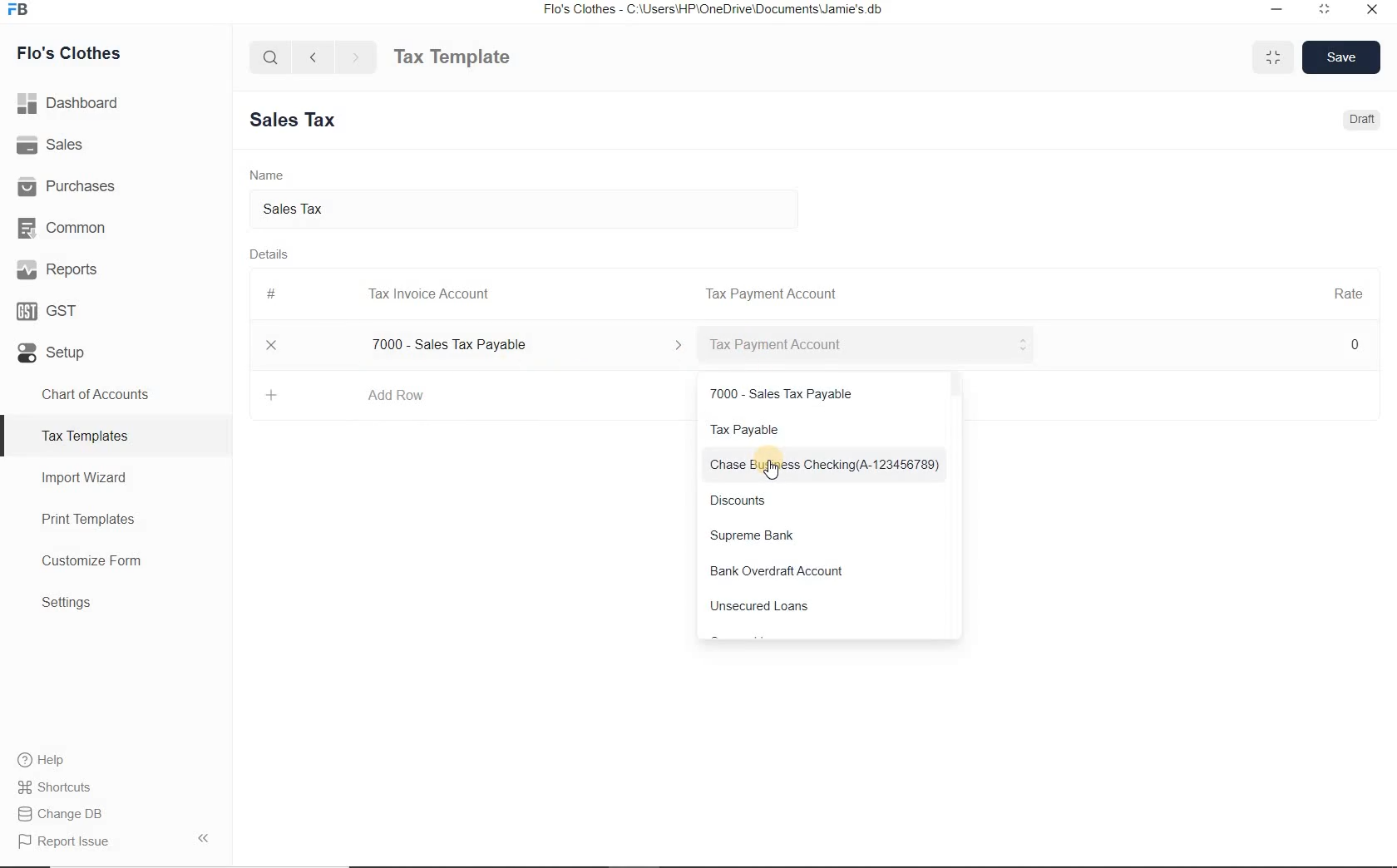 The image size is (1397, 868). What do you see at coordinates (827, 392) in the screenshot?
I see `7000-Sales Tax Payable` at bounding box center [827, 392].